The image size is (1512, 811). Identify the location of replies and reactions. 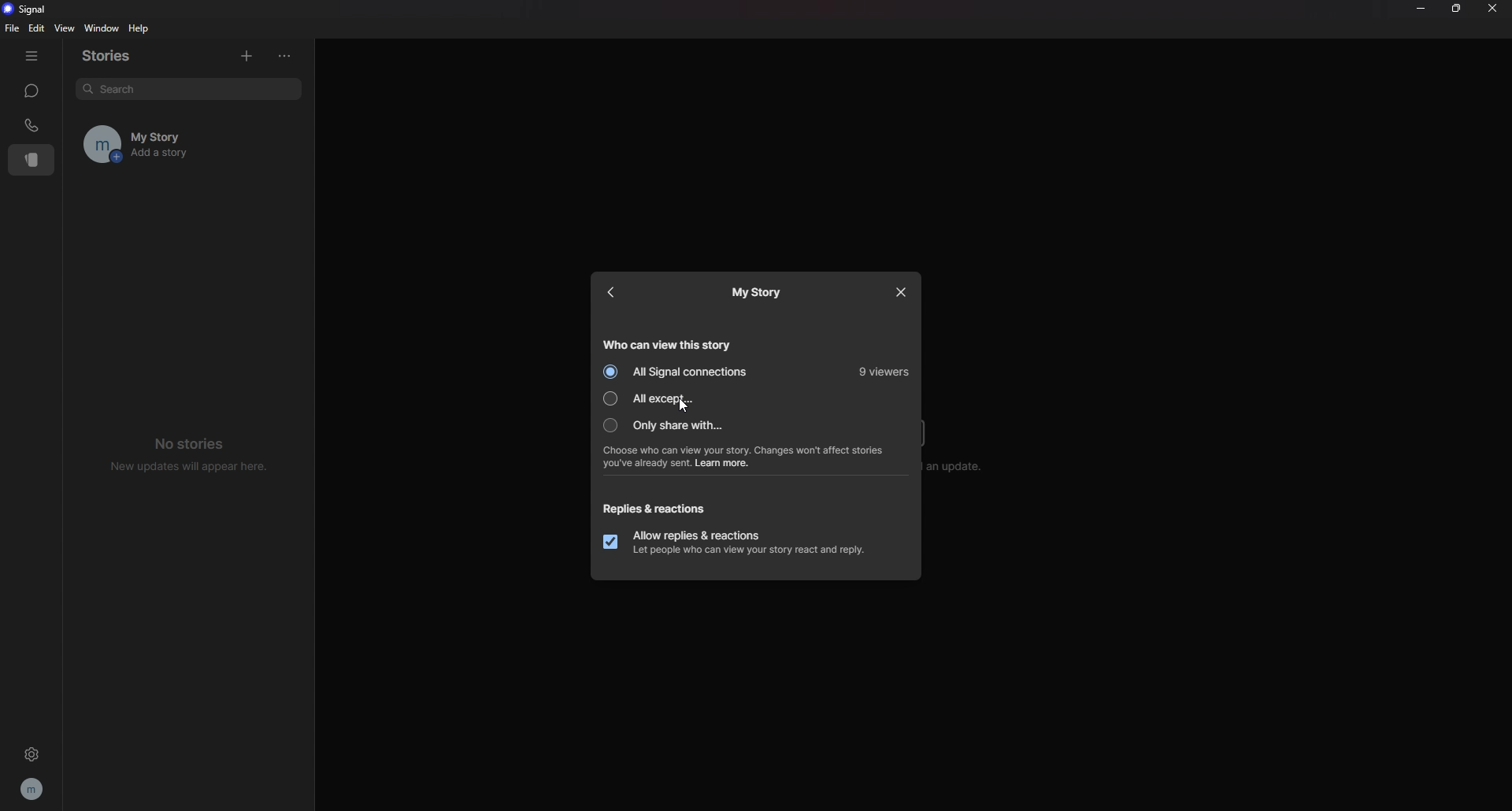
(661, 509).